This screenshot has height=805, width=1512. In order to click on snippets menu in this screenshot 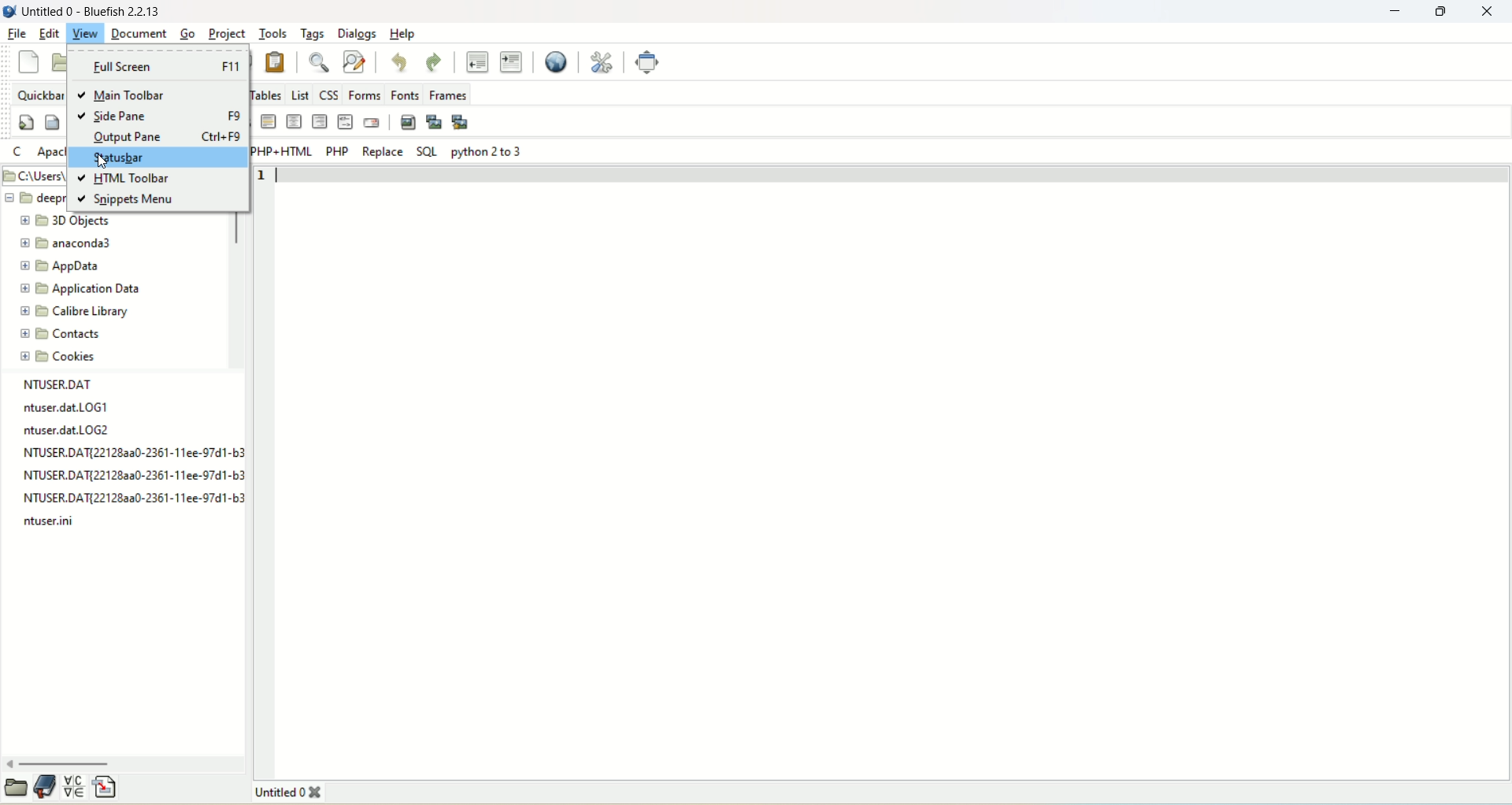, I will do `click(127, 202)`.